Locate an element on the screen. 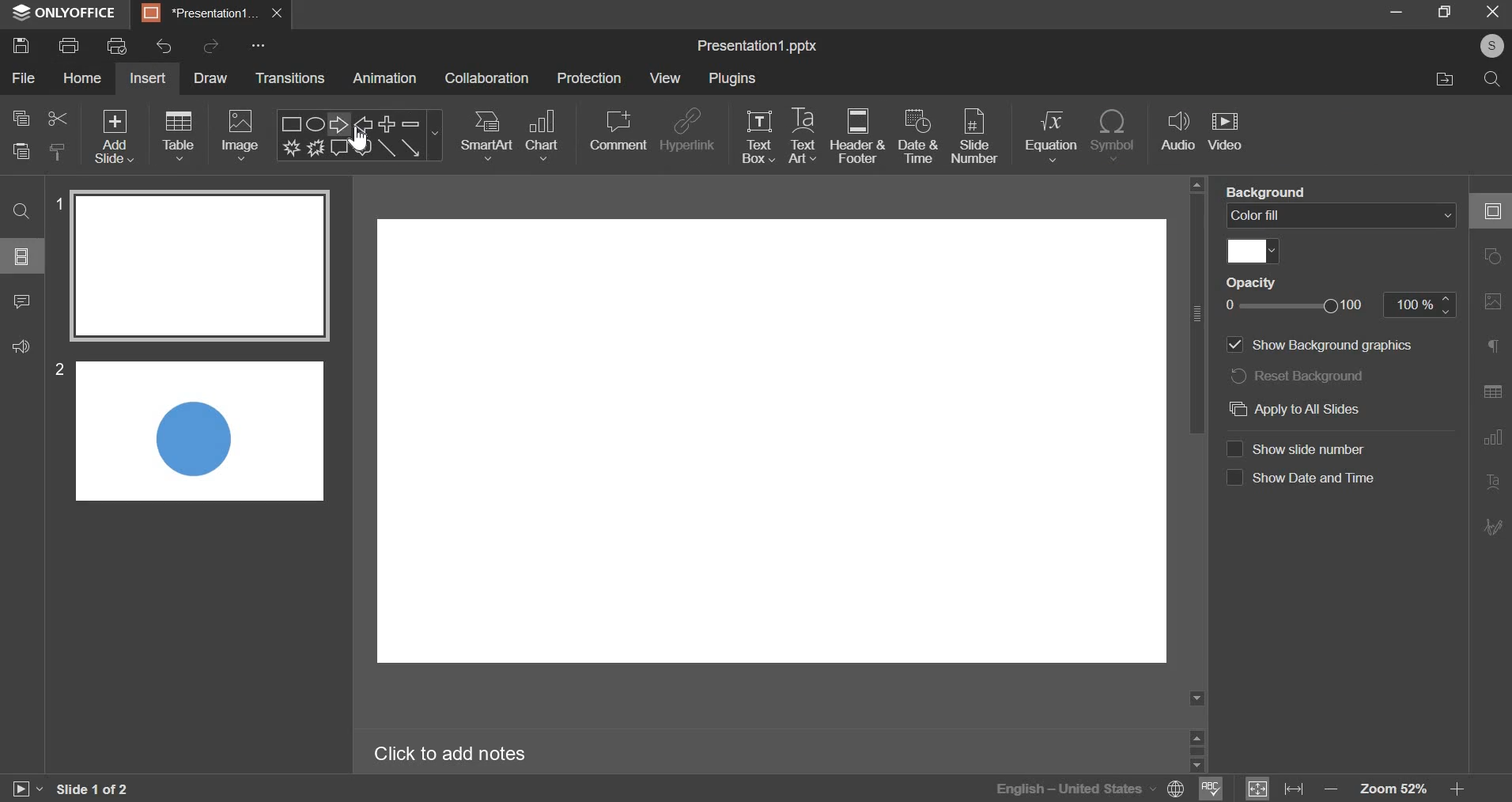 This screenshot has width=1512, height=802. show date and time is located at coordinates (1303, 480).